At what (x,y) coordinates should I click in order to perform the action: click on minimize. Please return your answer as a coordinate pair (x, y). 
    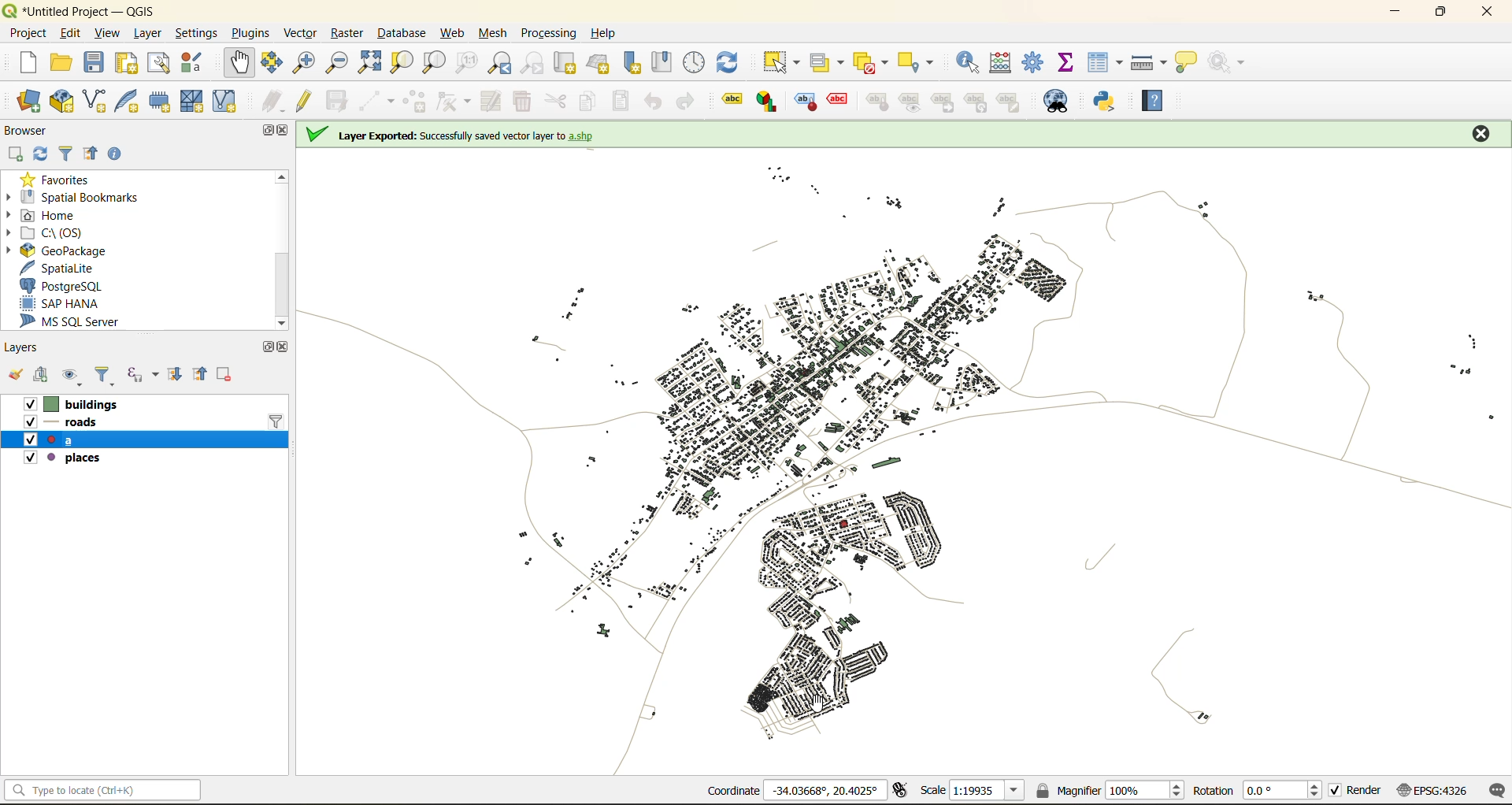
    Looking at the image, I should click on (1397, 14).